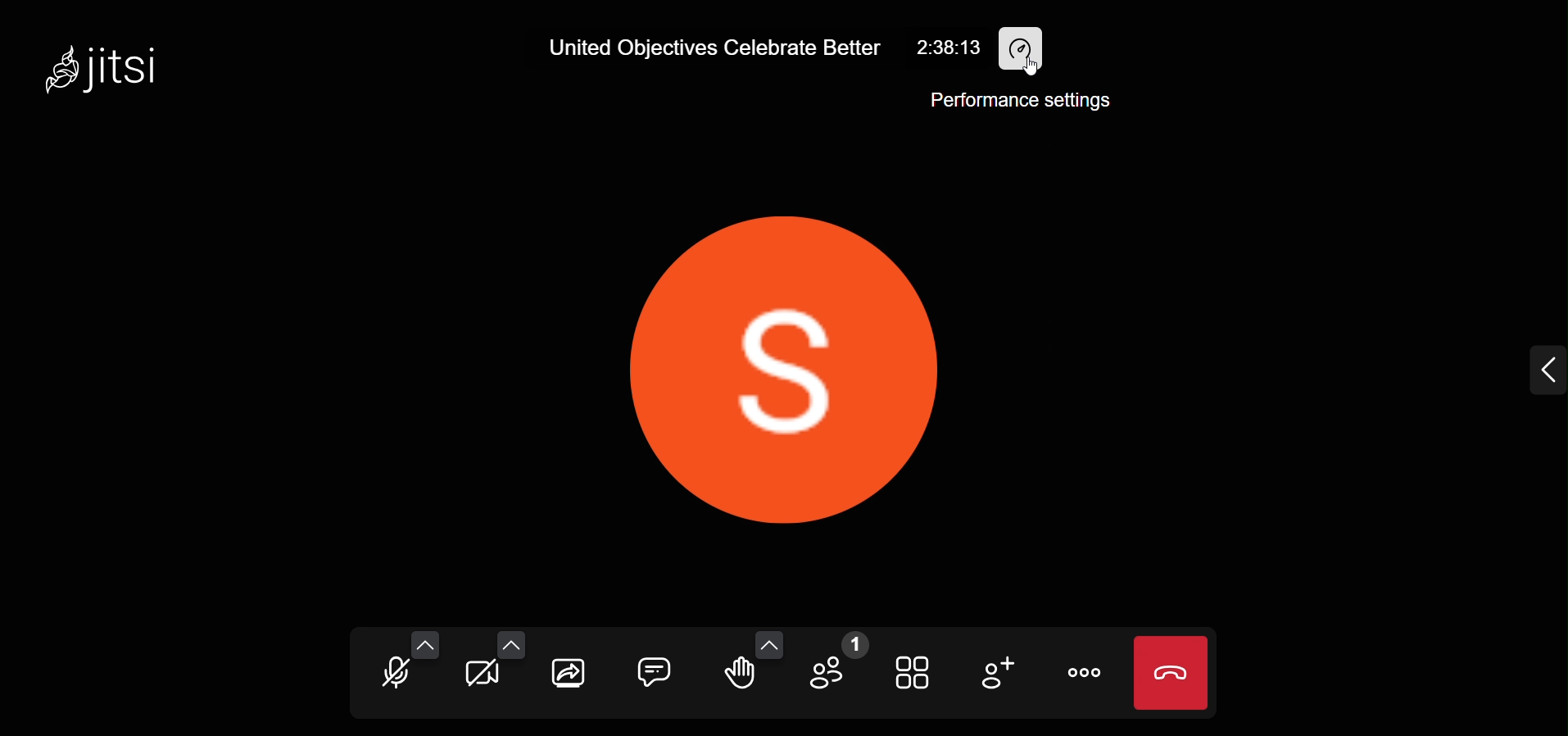  What do you see at coordinates (834, 664) in the screenshot?
I see `participant` at bounding box center [834, 664].